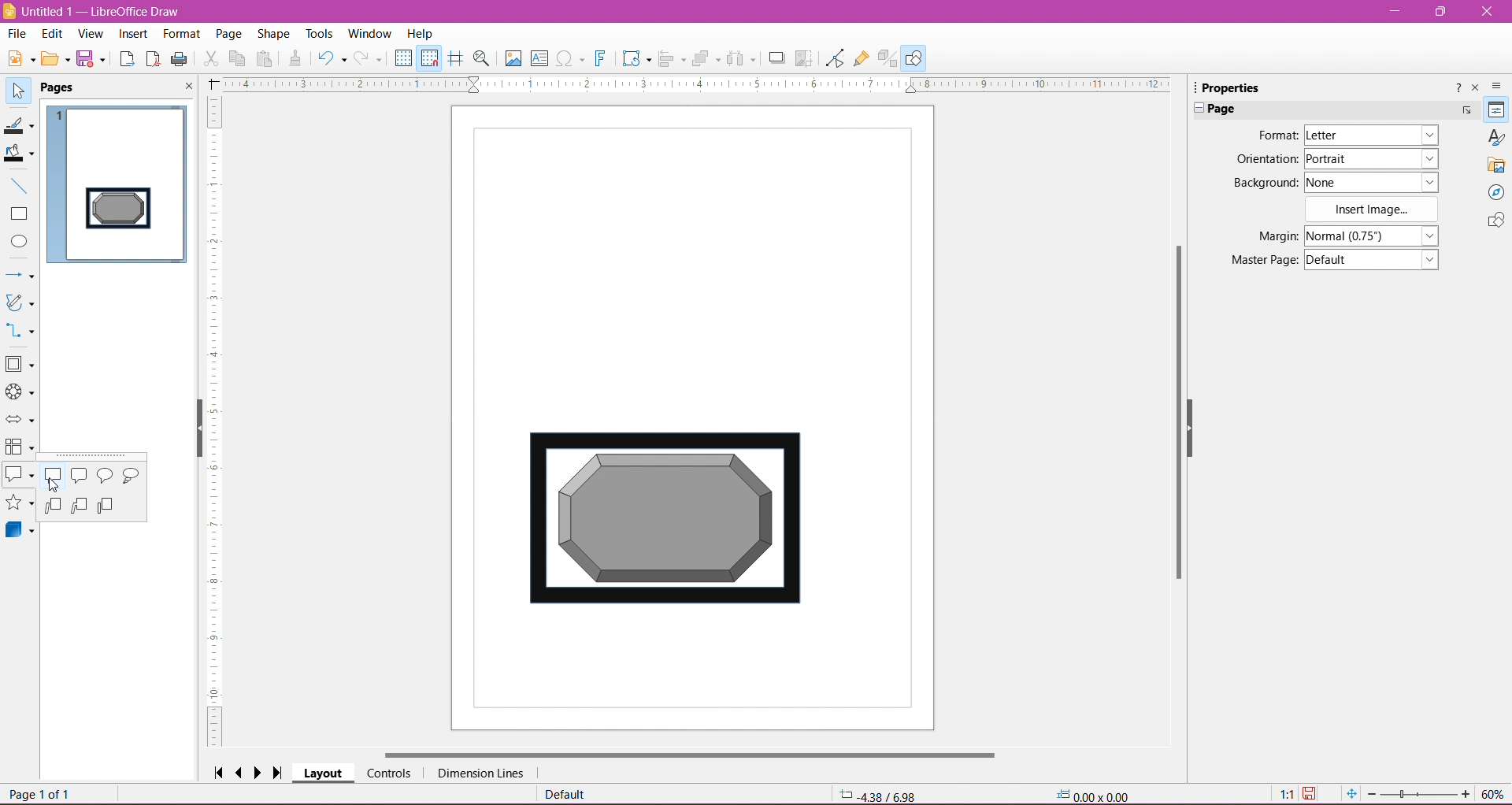 This screenshot has width=1512, height=805. Describe the element at coordinates (180, 34) in the screenshot. I see `Format` at that location.